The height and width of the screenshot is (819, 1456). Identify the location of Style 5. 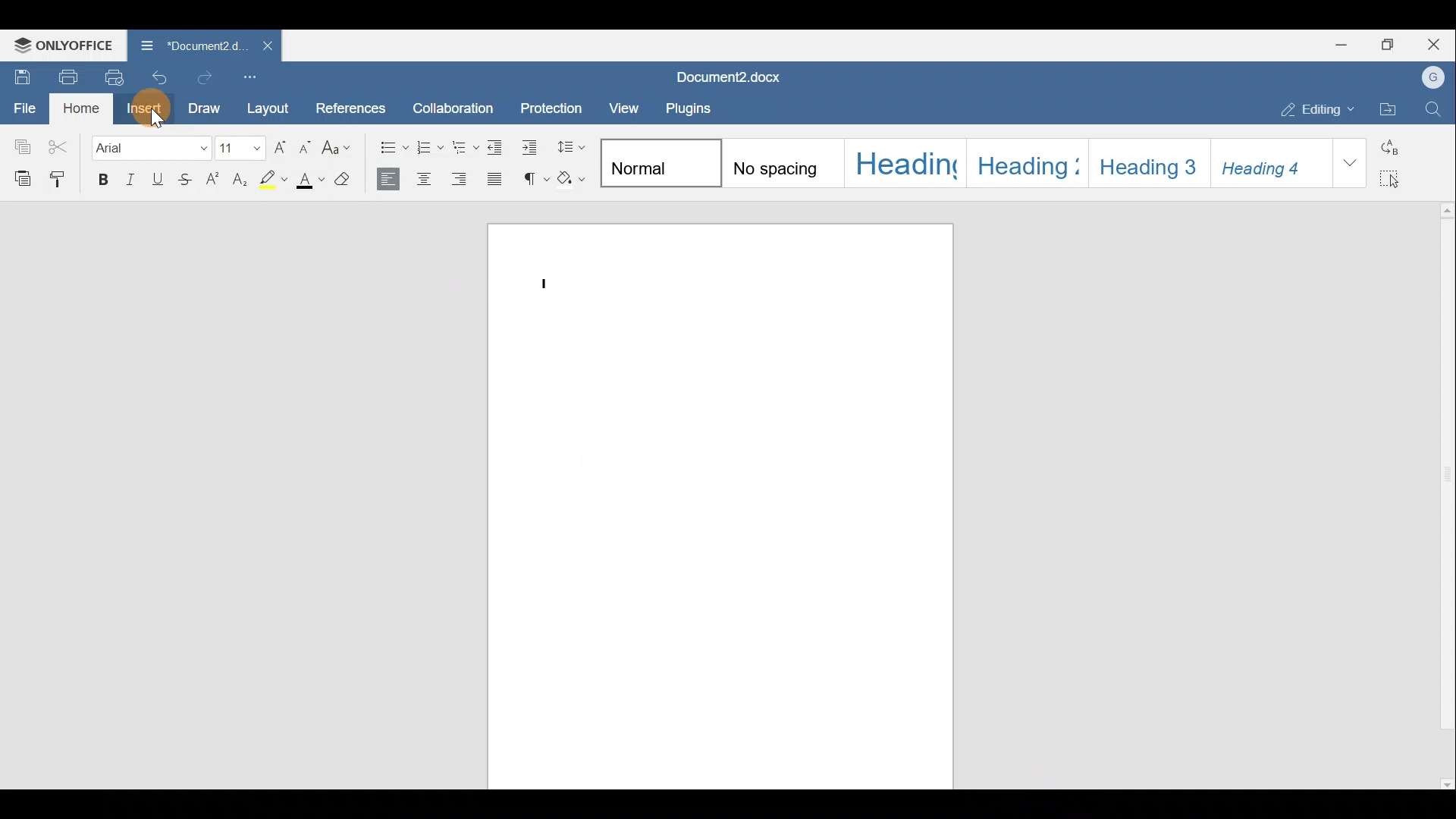
(1151, 165).